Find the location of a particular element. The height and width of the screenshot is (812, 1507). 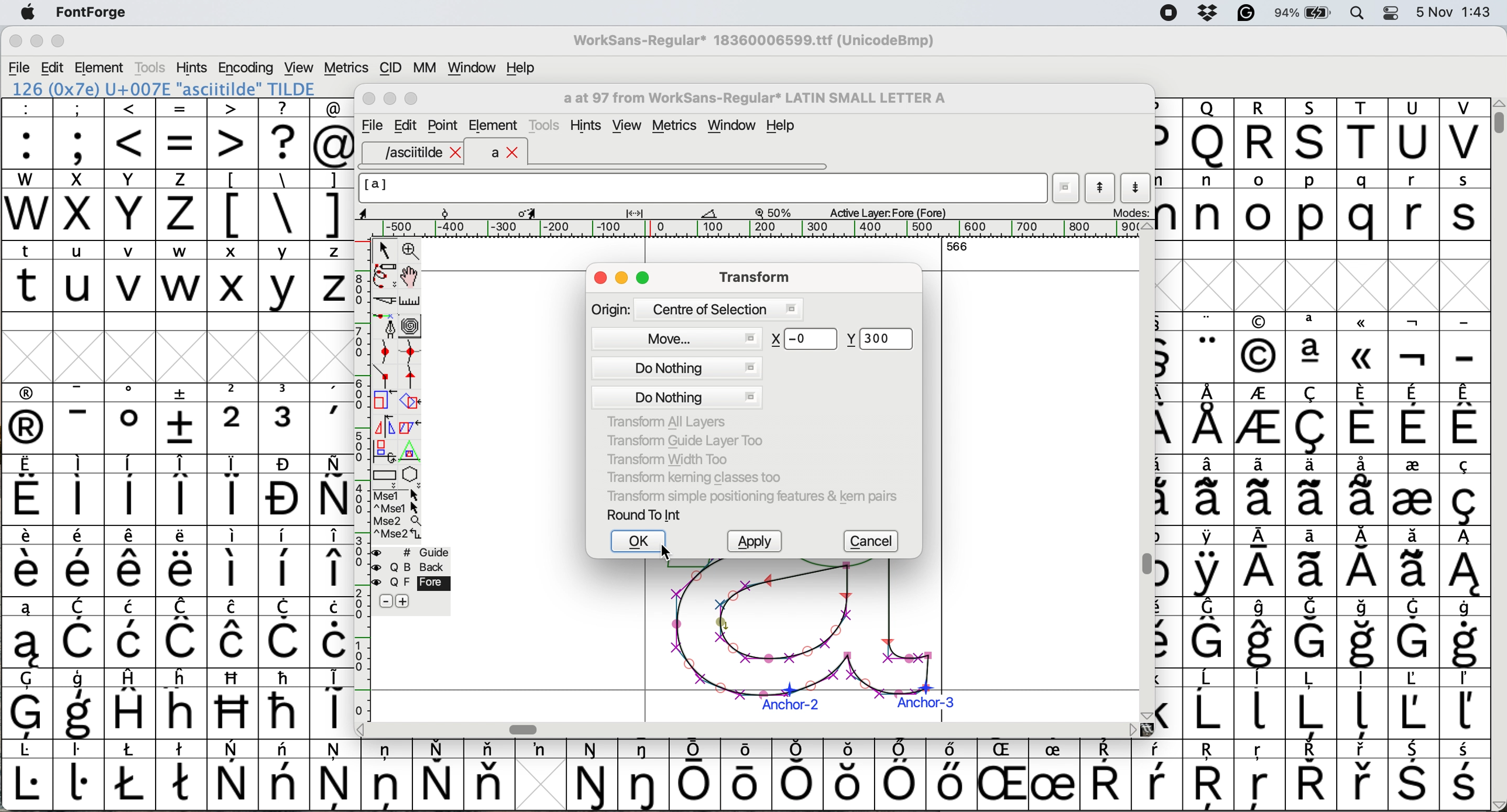

U is located at coordinates (1413, 134).